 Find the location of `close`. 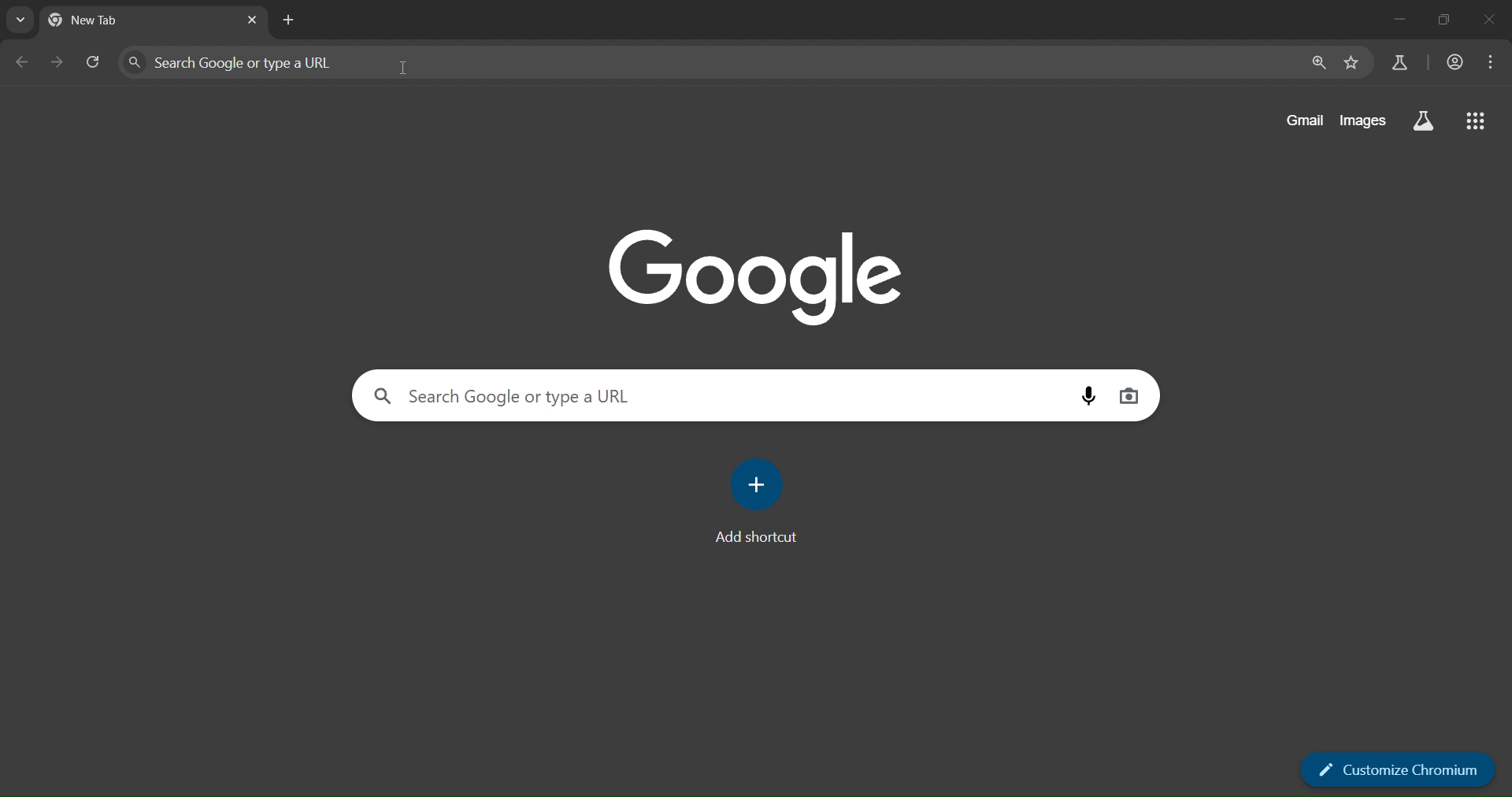

close is located at coordinates (1490, 20).